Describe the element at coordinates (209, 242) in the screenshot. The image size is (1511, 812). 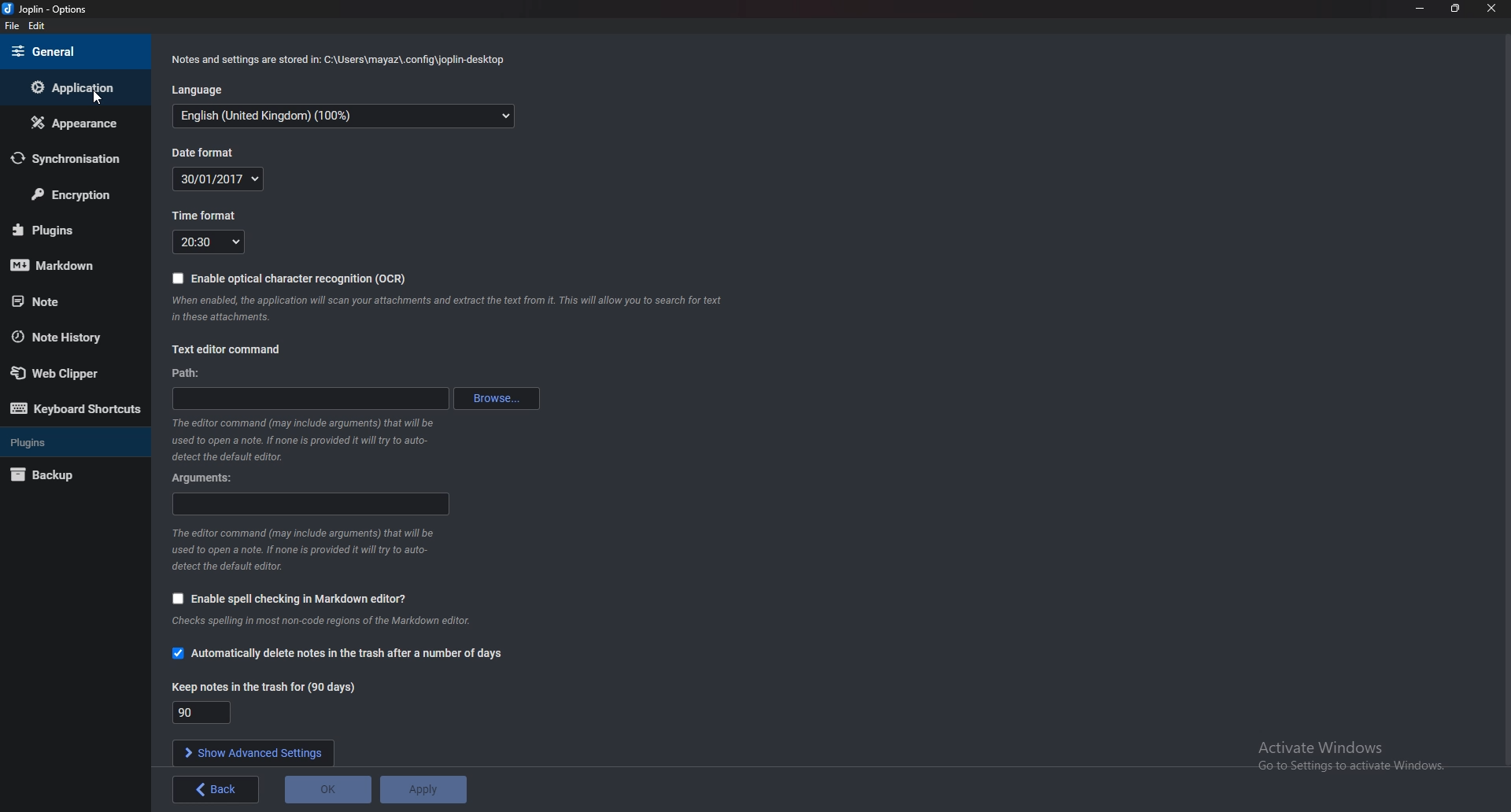
I see `Time format` at that location.